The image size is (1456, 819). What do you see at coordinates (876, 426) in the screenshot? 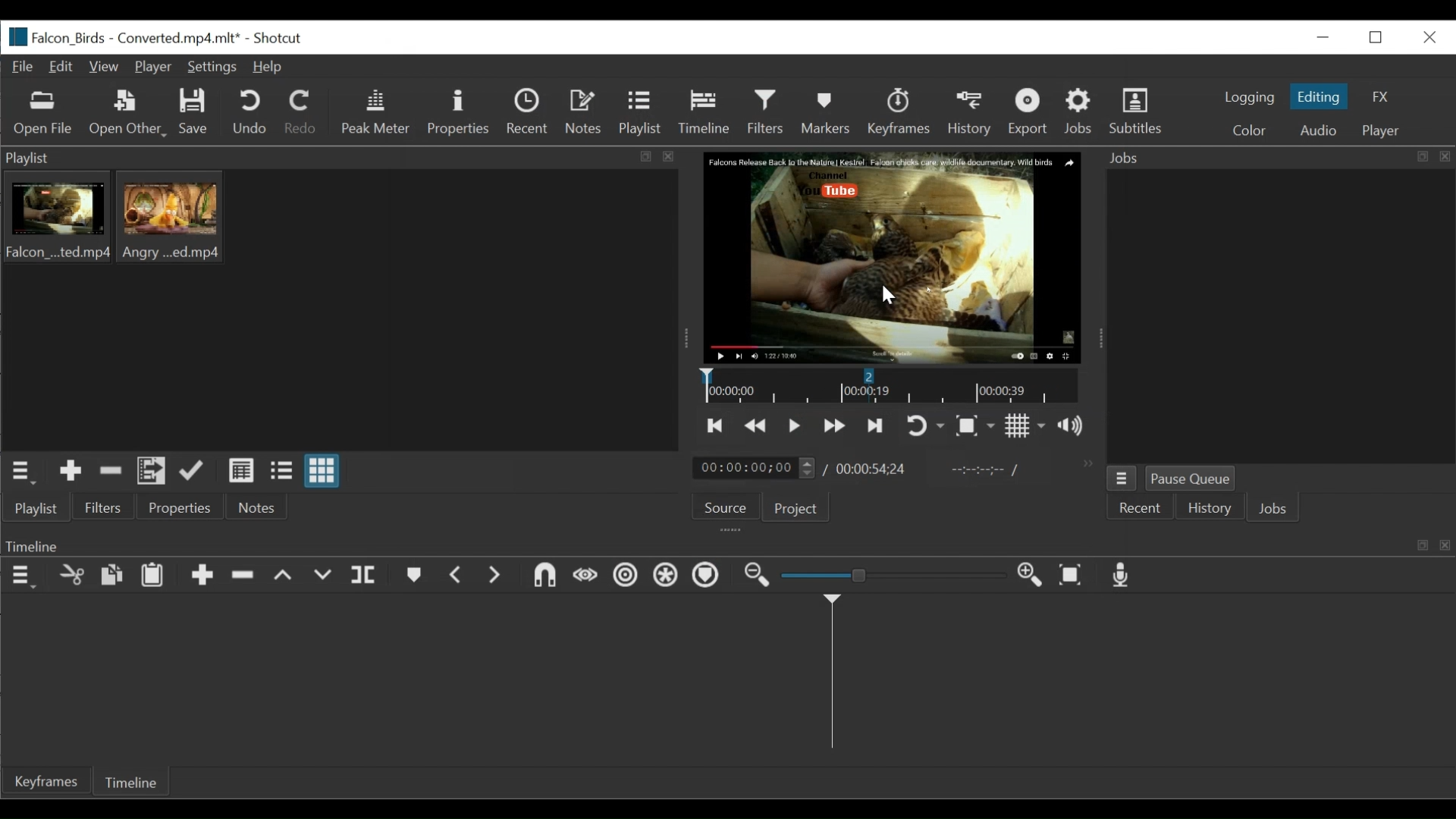
I see `Skip to the next point` at bounding box center [876, 426].